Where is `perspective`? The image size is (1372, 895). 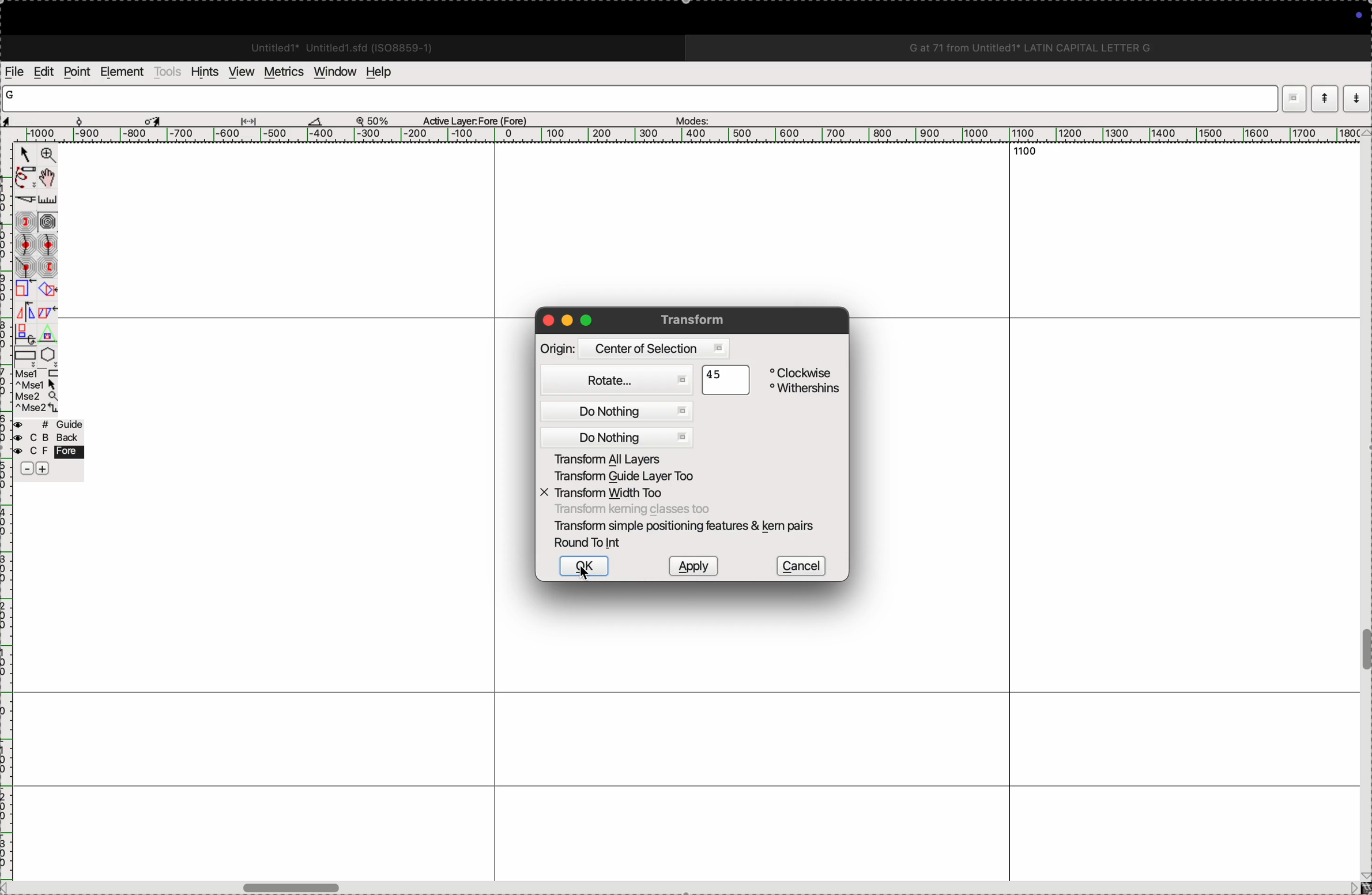 perspective is located at coordinates (47, 334).